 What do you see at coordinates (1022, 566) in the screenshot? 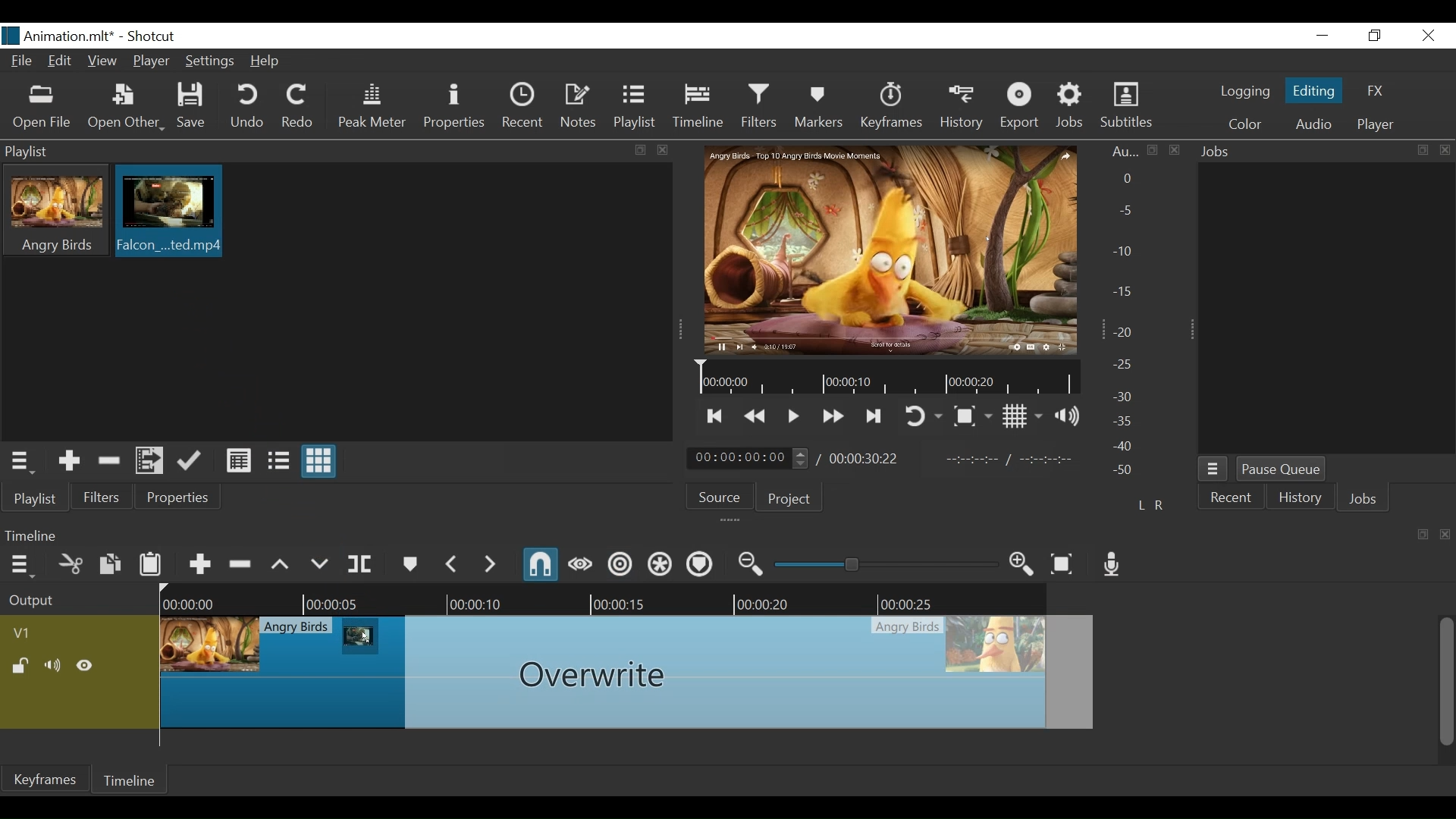
I see `Zoom timeline in` at bounding box center [1022, 566].